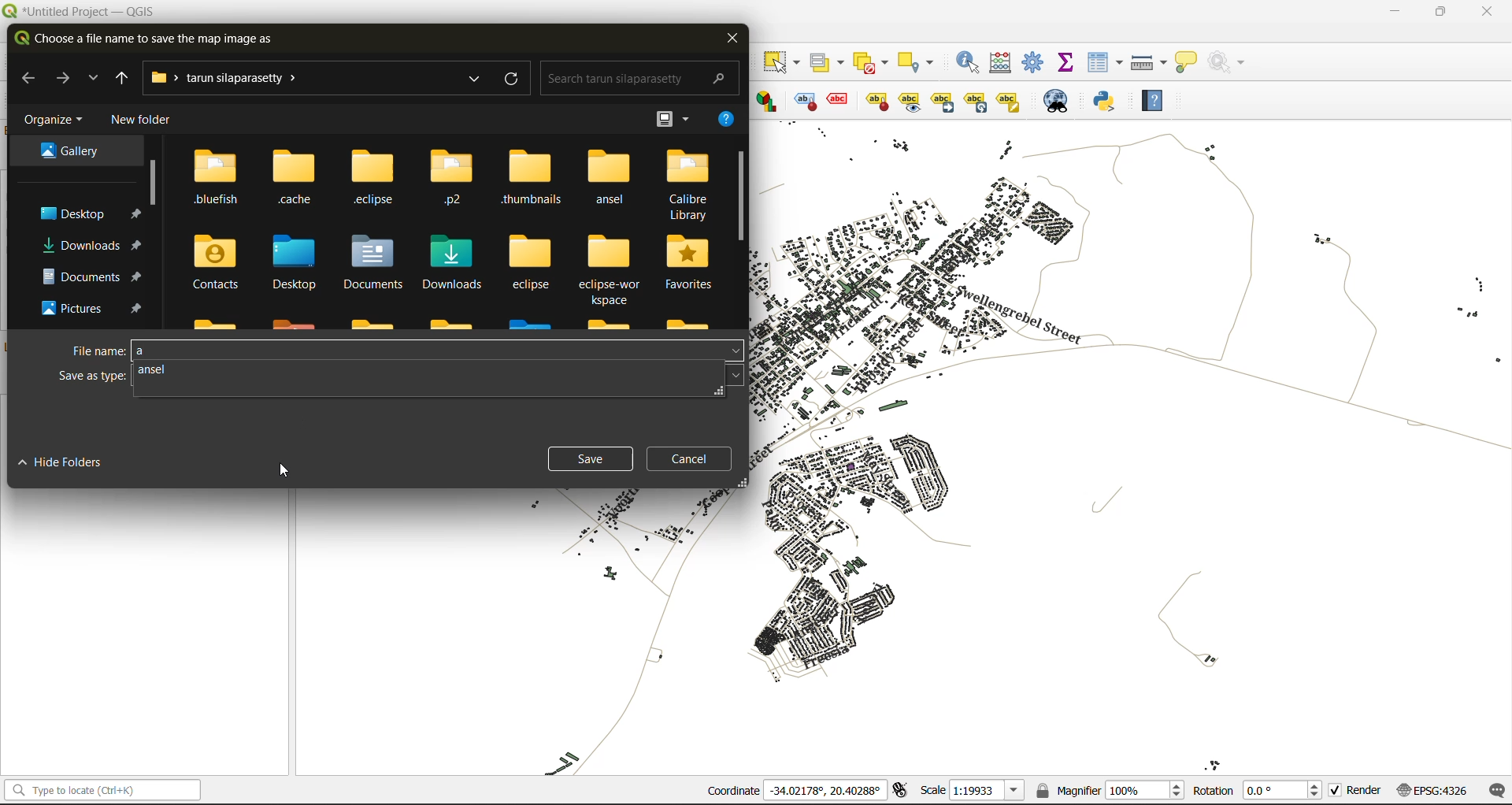 Image resolution: width=1512 pixels, height=805 pixels. Describe the element at coordinates (406, 351) in the screenshot. I see `file name` at that location.